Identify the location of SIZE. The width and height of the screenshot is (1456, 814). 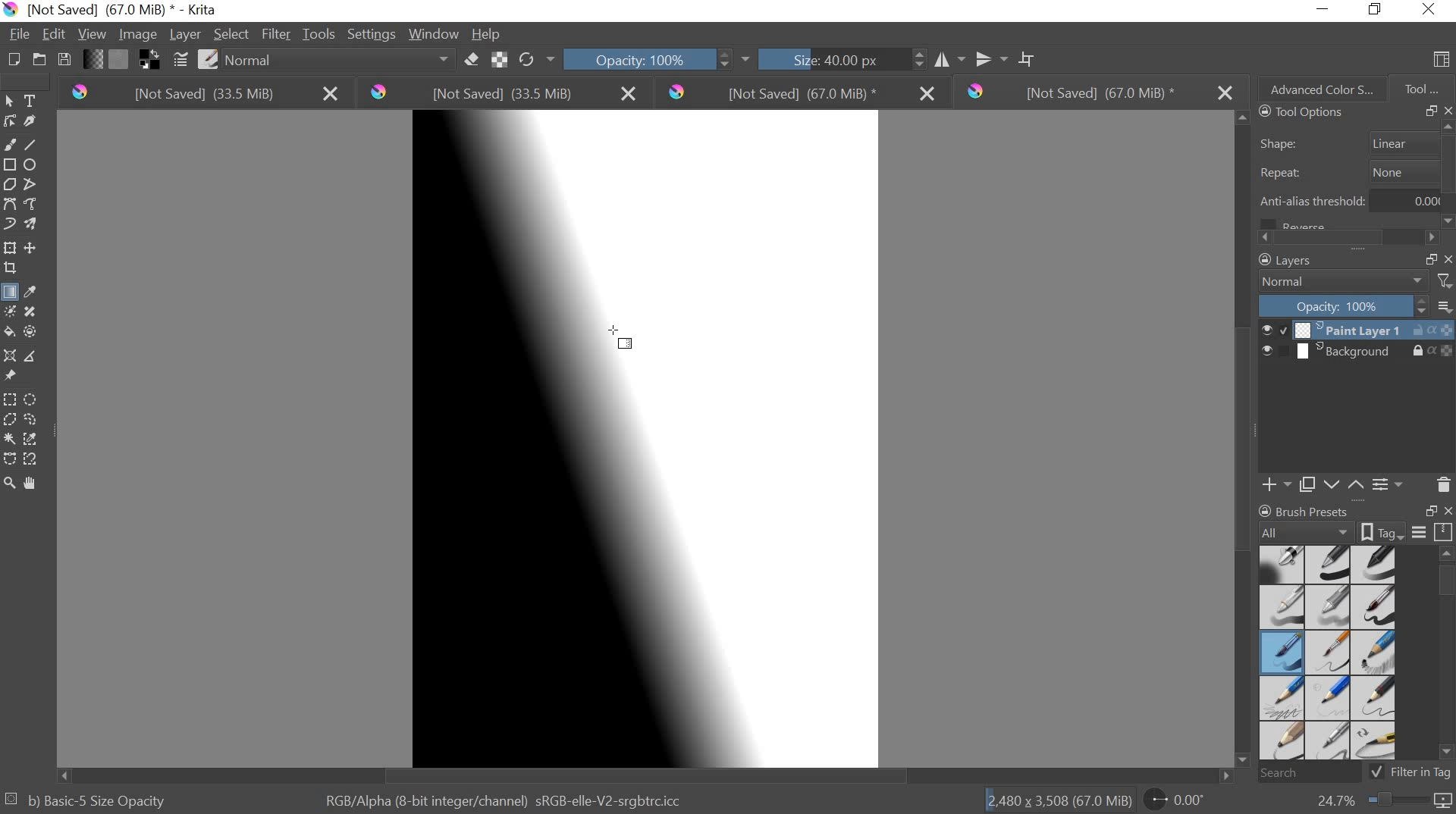
(819, 61).